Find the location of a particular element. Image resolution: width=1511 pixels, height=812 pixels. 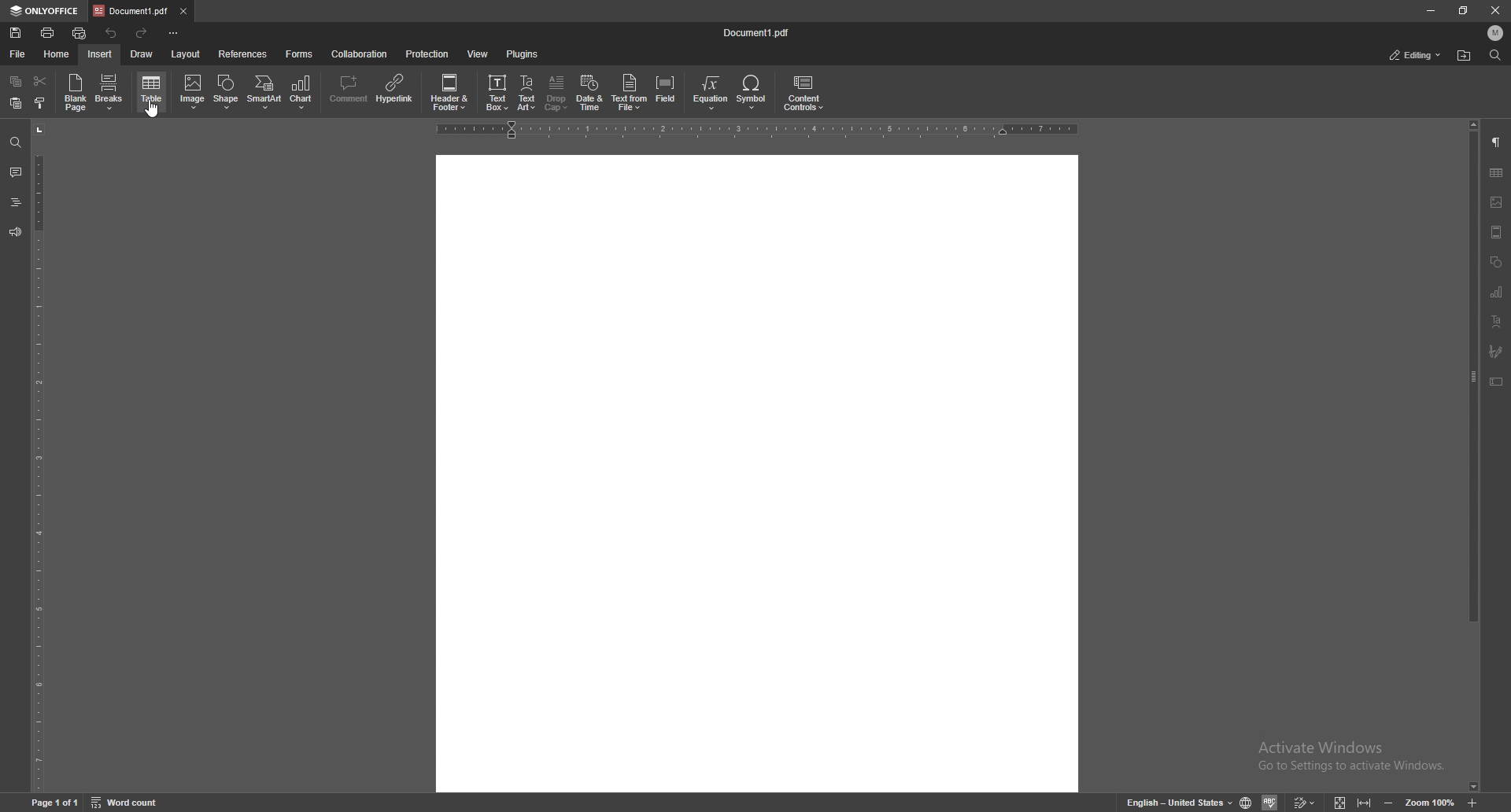

smartart is located at coordinates (264, 92).